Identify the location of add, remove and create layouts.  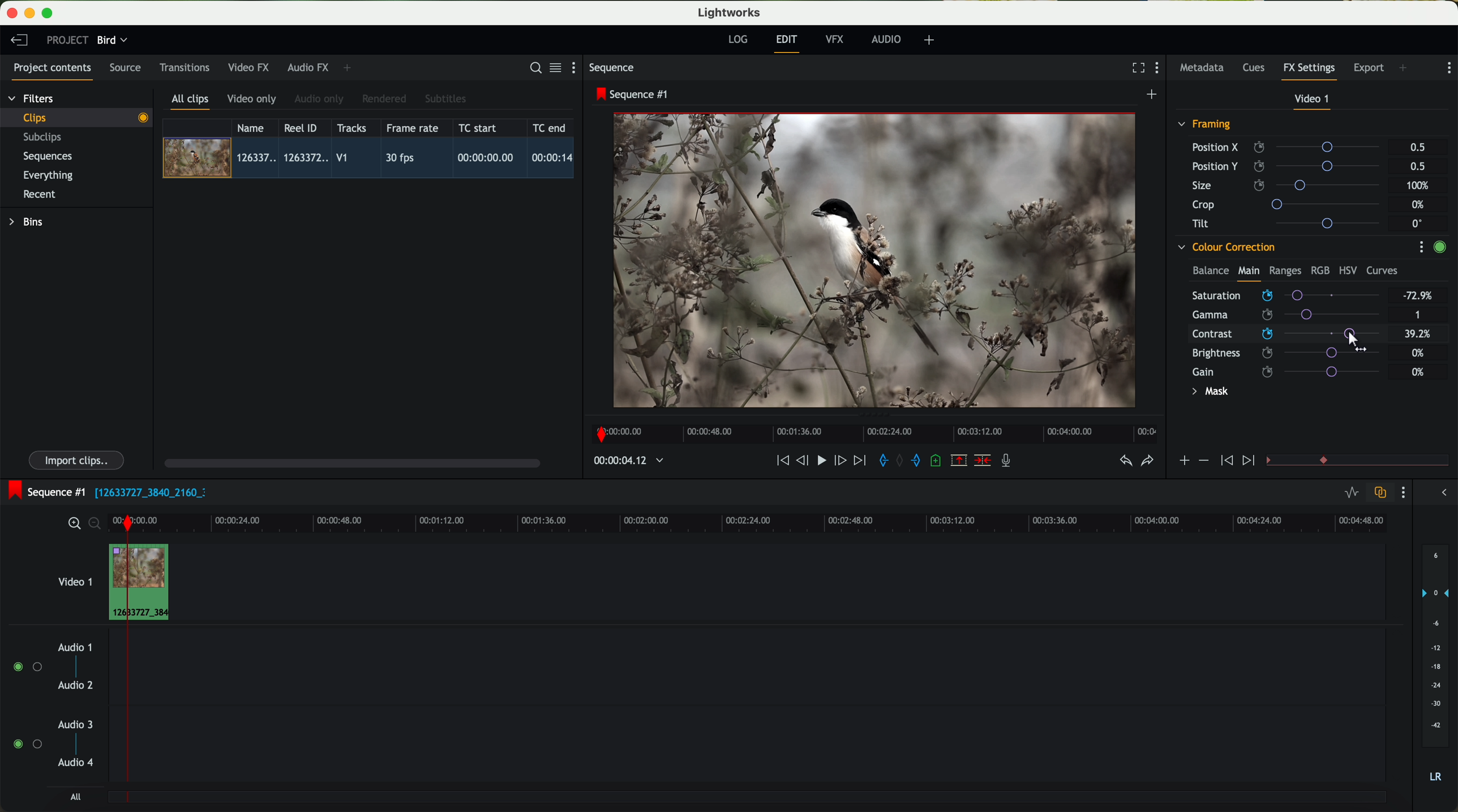
(931, 40).